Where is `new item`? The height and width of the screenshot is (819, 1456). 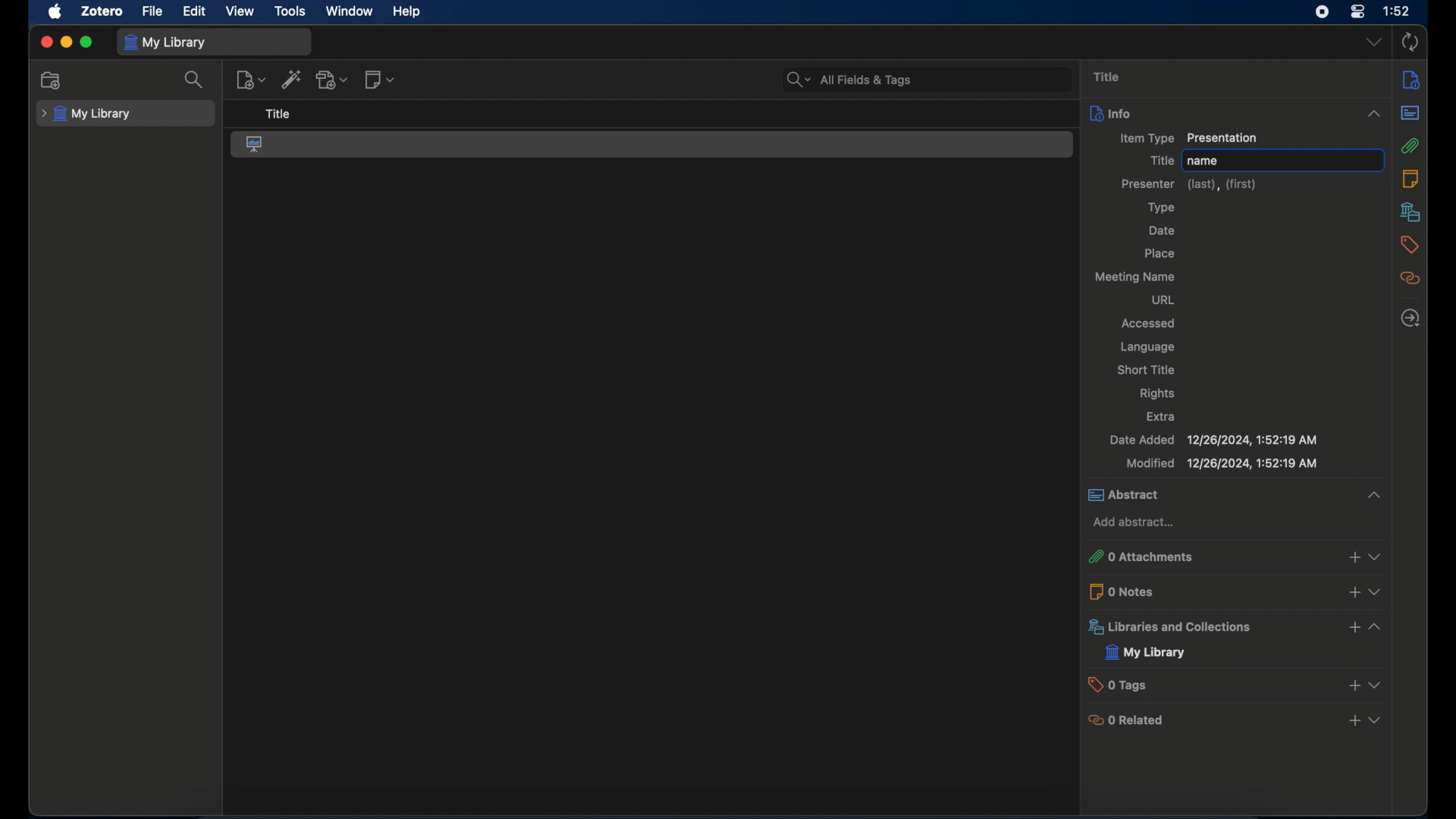
new item is located at coordinates (249, 80).